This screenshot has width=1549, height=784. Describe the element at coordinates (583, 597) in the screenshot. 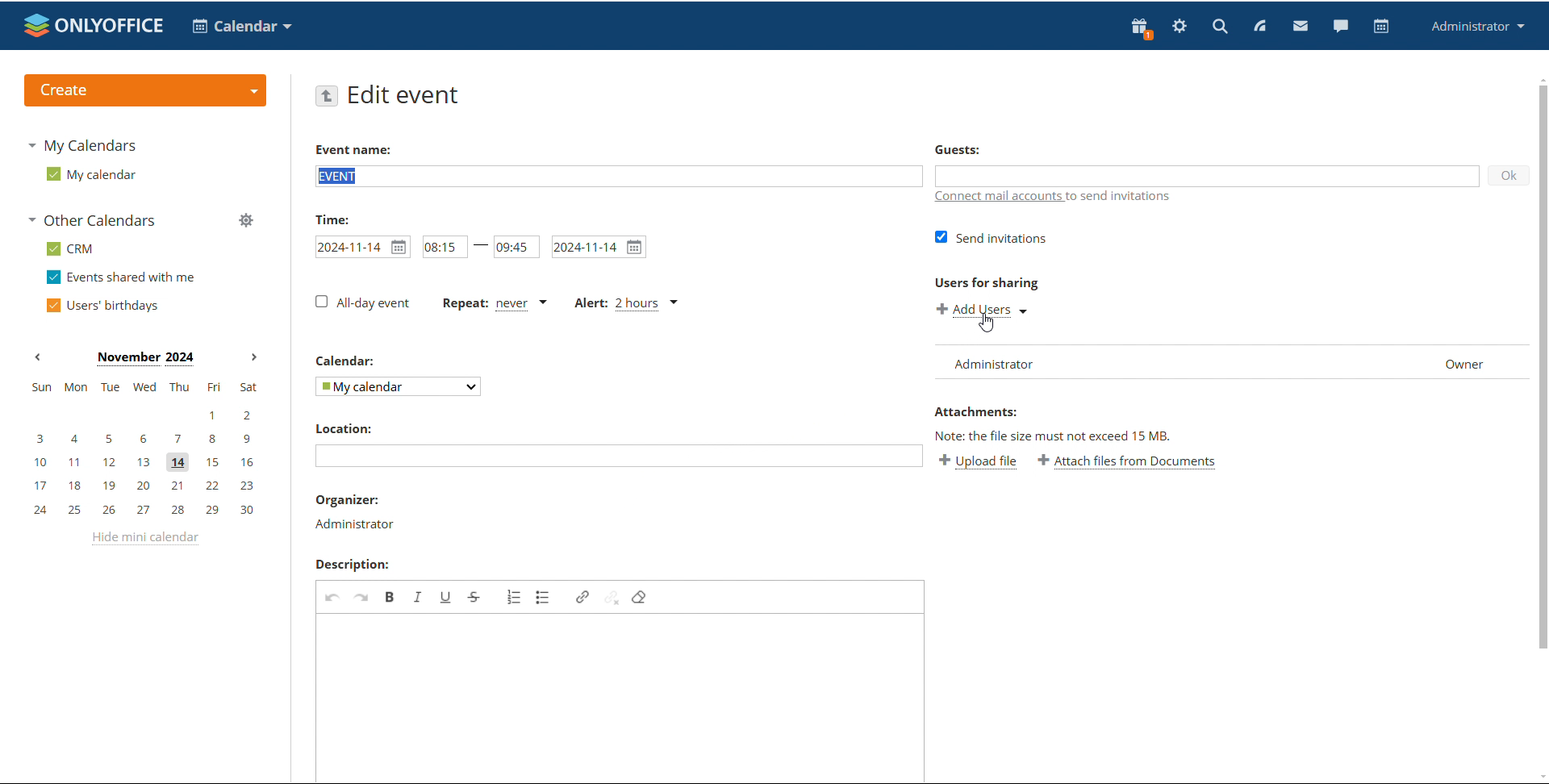

I see `link` at that location.